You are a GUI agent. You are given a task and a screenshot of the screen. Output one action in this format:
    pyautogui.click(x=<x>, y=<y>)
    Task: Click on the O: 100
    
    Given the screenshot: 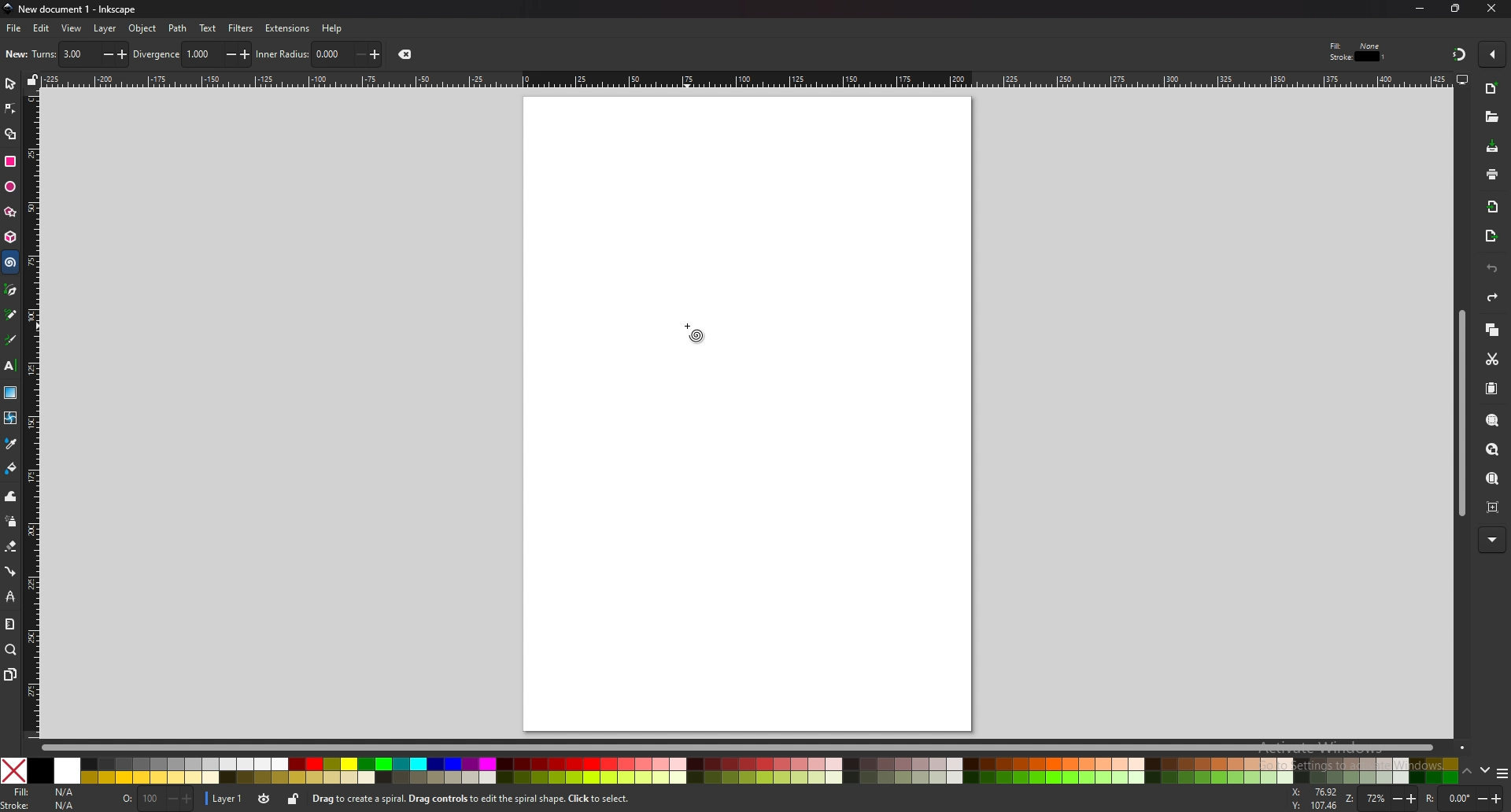 What is the action you would take?
    pyautogui.click(x=156, y=799)
    